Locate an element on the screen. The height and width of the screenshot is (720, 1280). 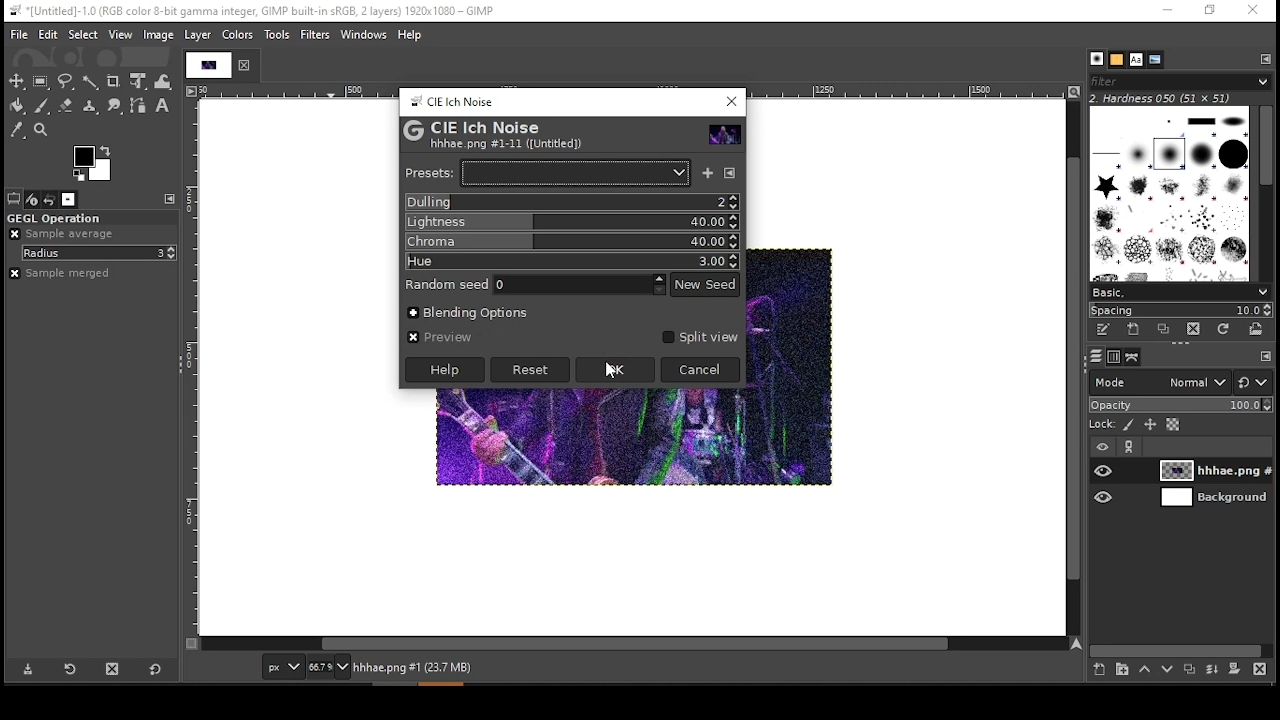
spacing is located at coordinates (1185, 311).